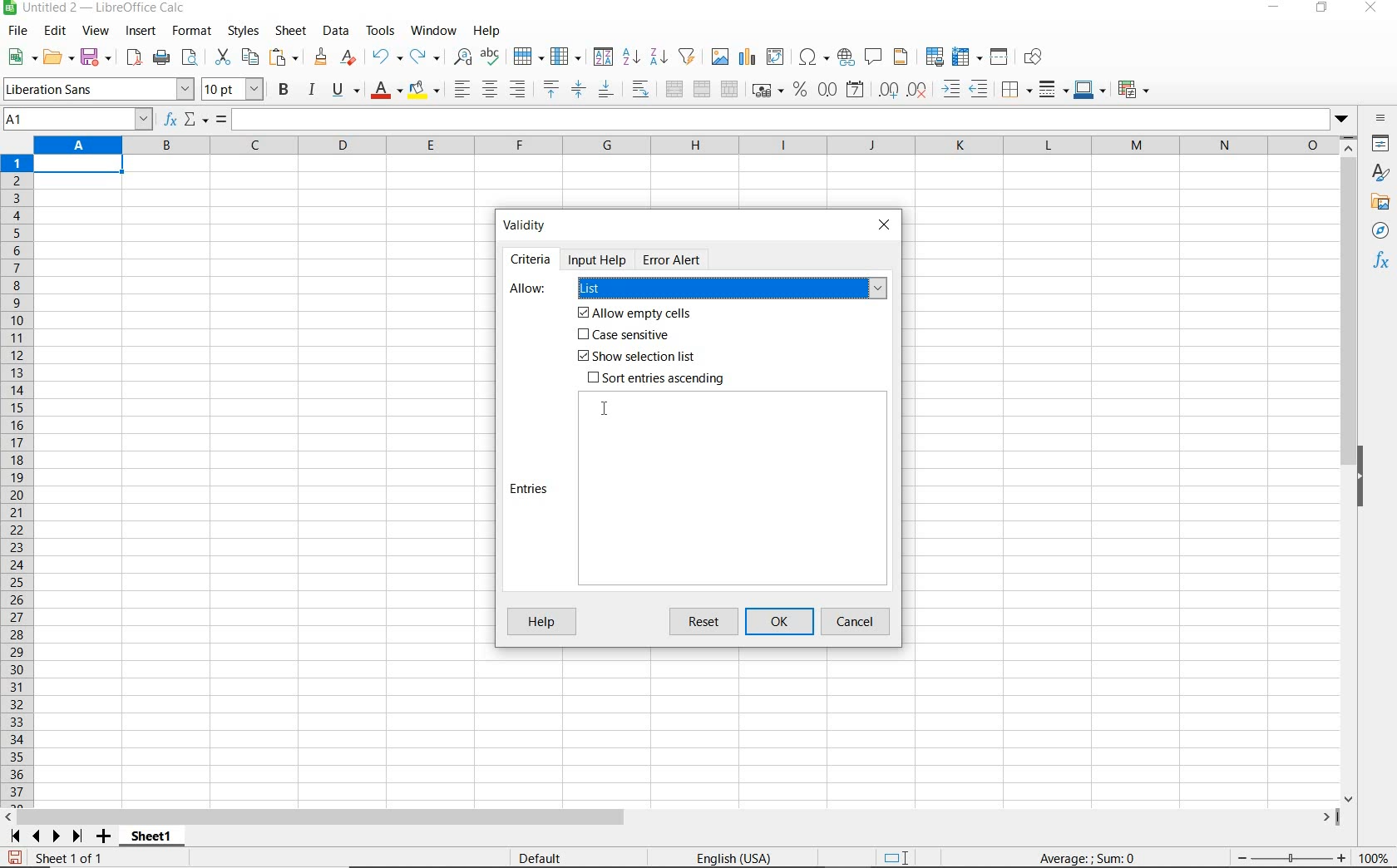  What do you see at coordinates (658, 381) in the screenshot?
I see `Sort entries ascending` at bounding box center [658, 381].